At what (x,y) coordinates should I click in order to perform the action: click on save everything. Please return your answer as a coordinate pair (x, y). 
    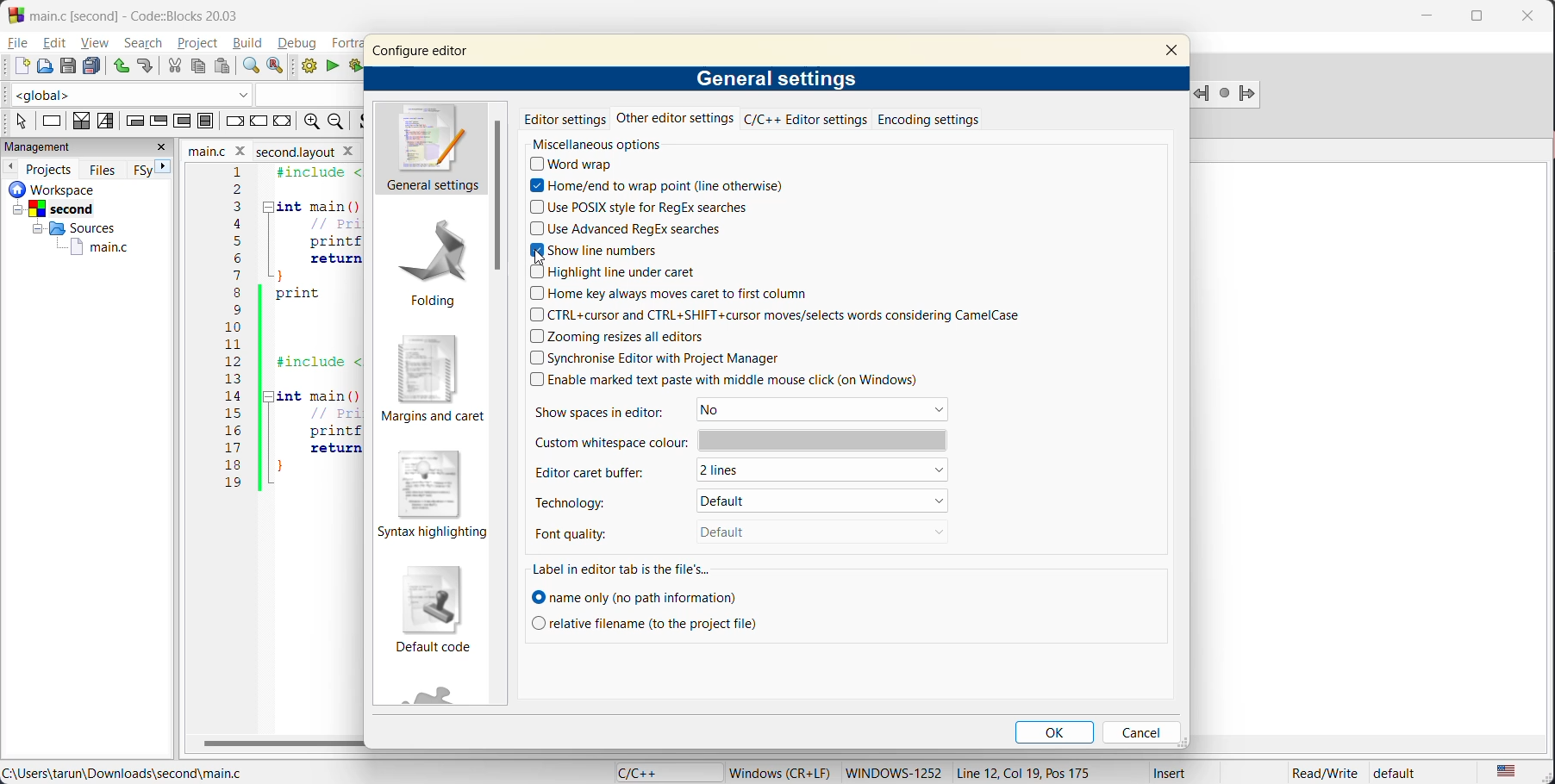
    Looking at the image, I should click on (91, 65).